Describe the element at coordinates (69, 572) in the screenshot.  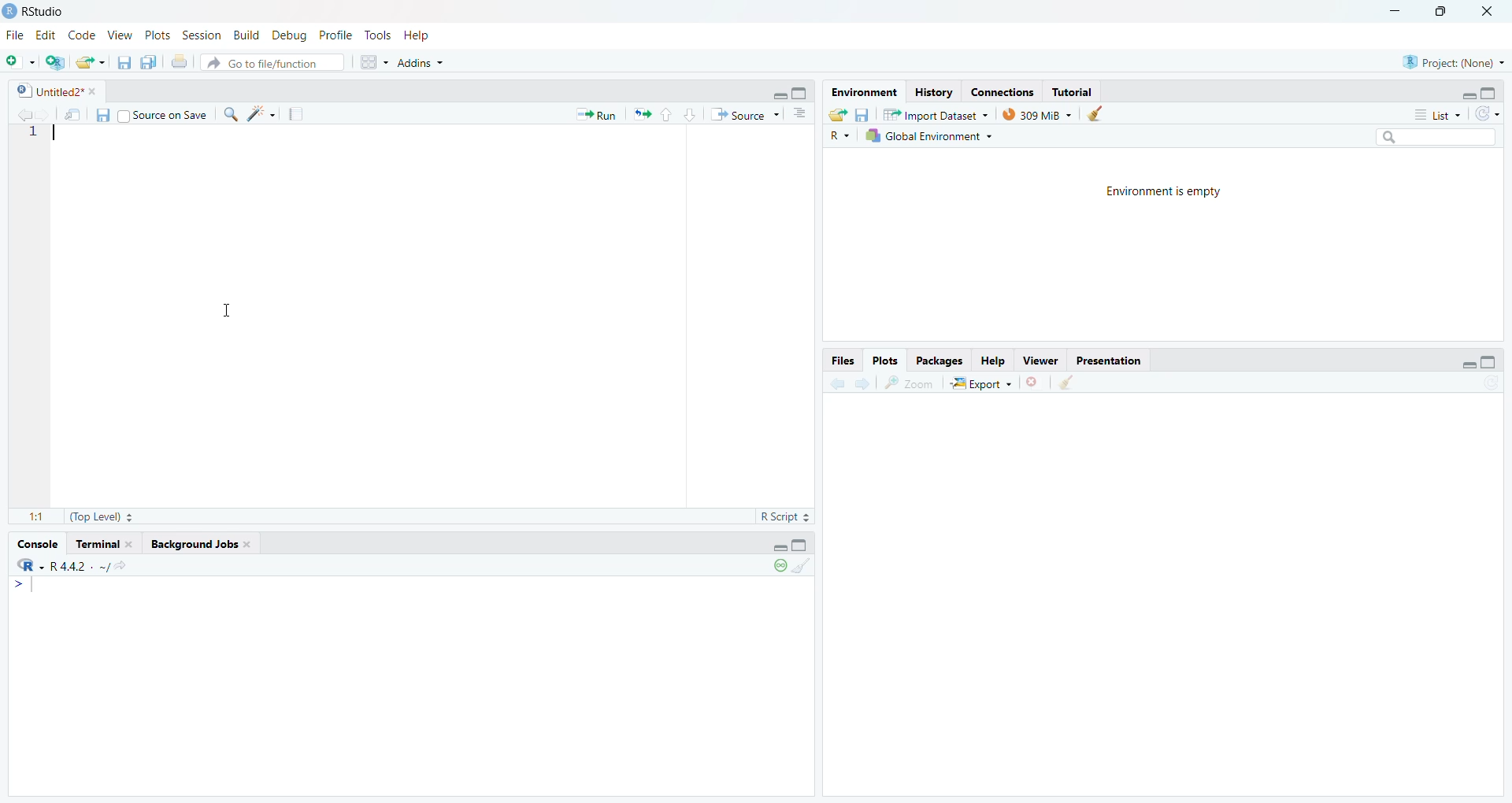
I see `R442` at that location.